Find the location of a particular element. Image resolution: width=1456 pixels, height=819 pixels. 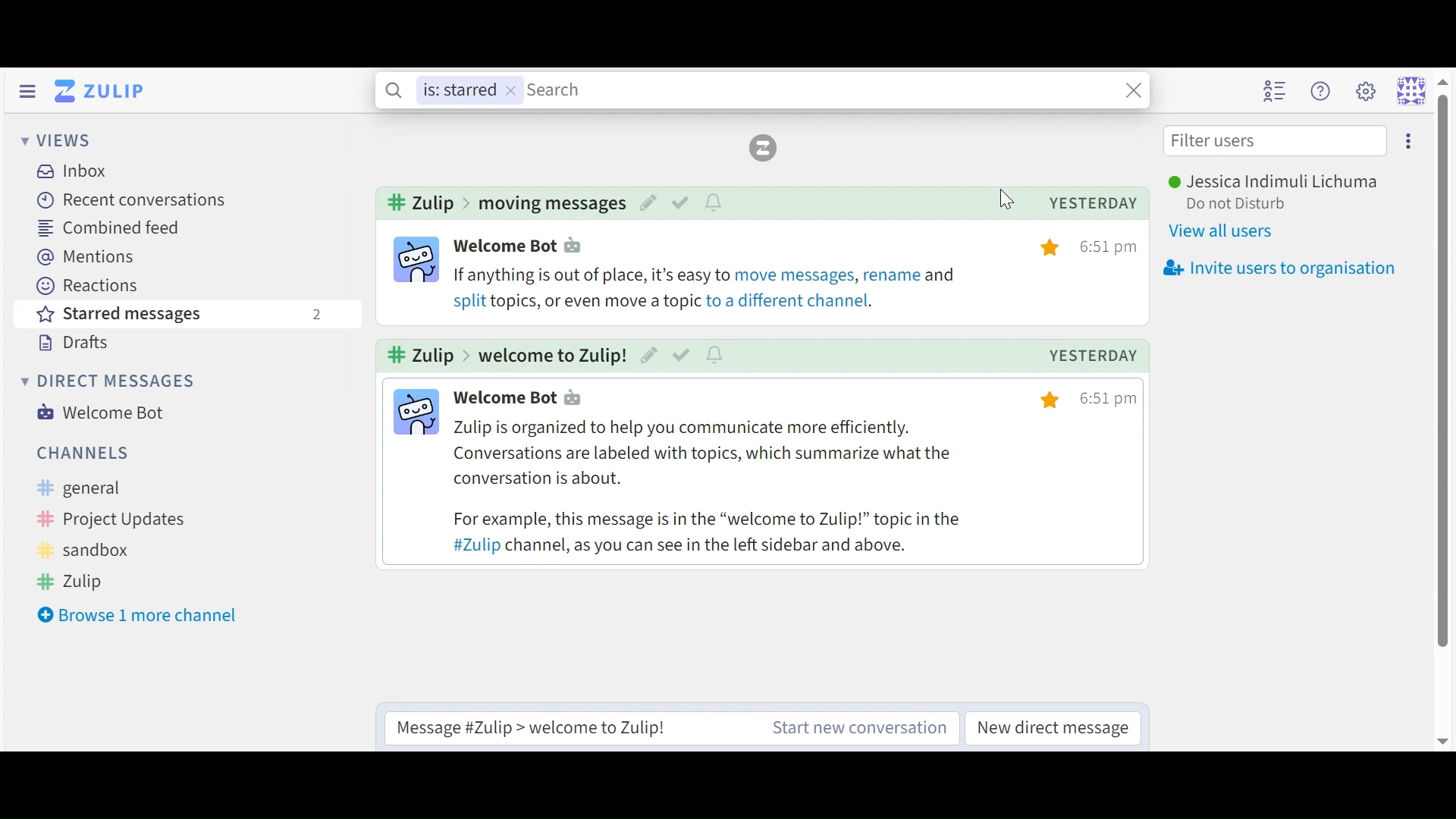

New direct message is located at coordinates (1053, 726).